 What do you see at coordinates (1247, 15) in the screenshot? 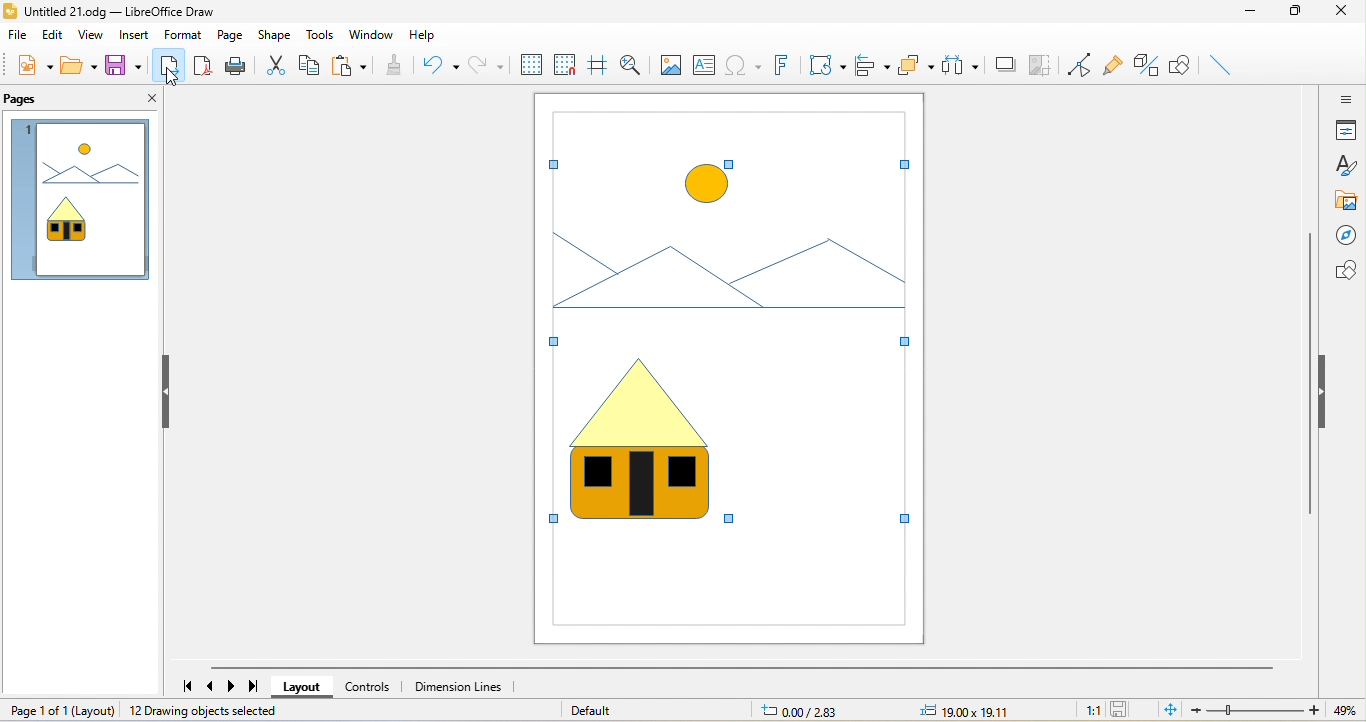
I see `minimize` at bounding box center [1247, 15].